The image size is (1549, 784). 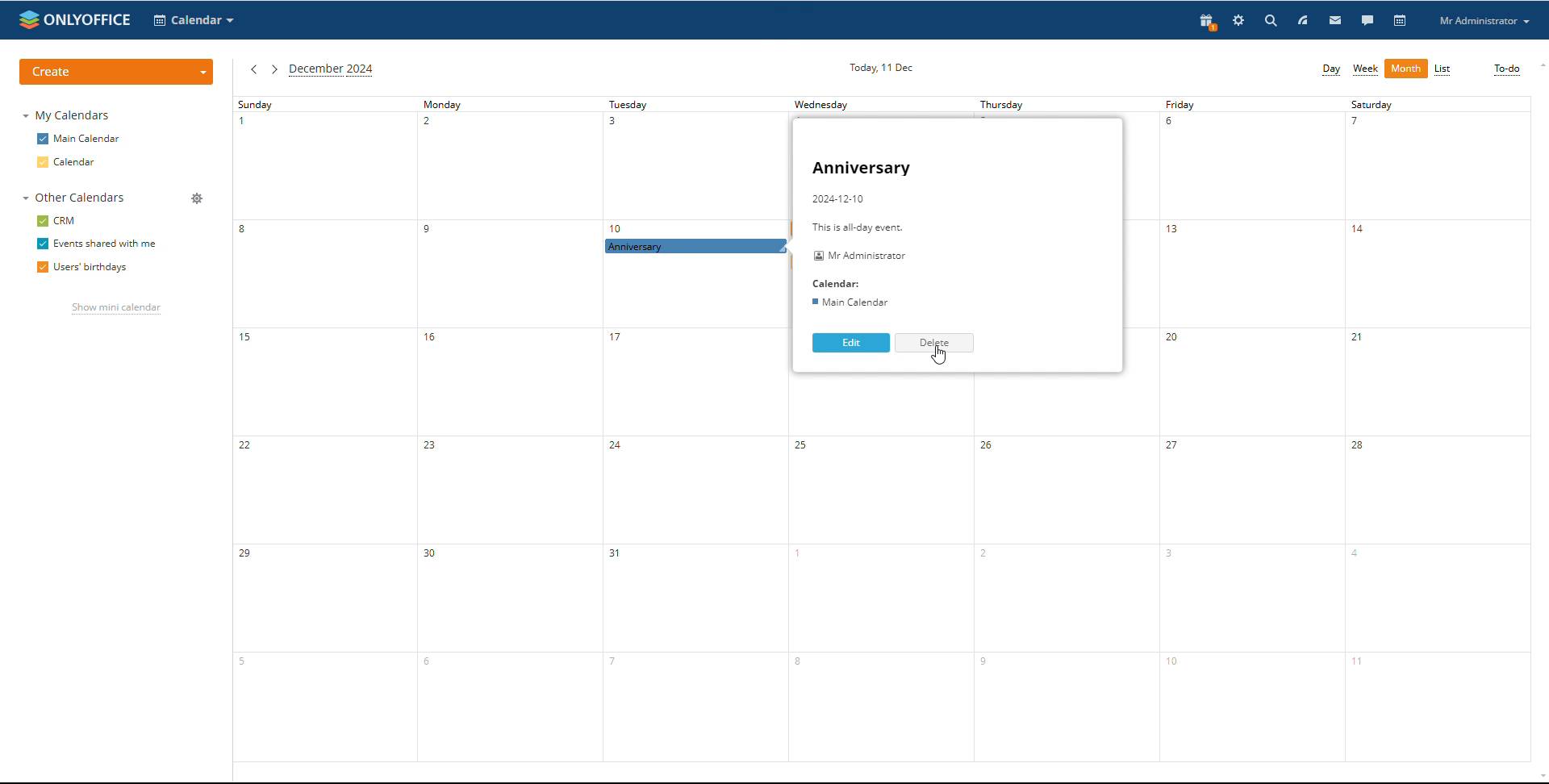 I want to click on mouse pointer, so click(x=936, y=355).